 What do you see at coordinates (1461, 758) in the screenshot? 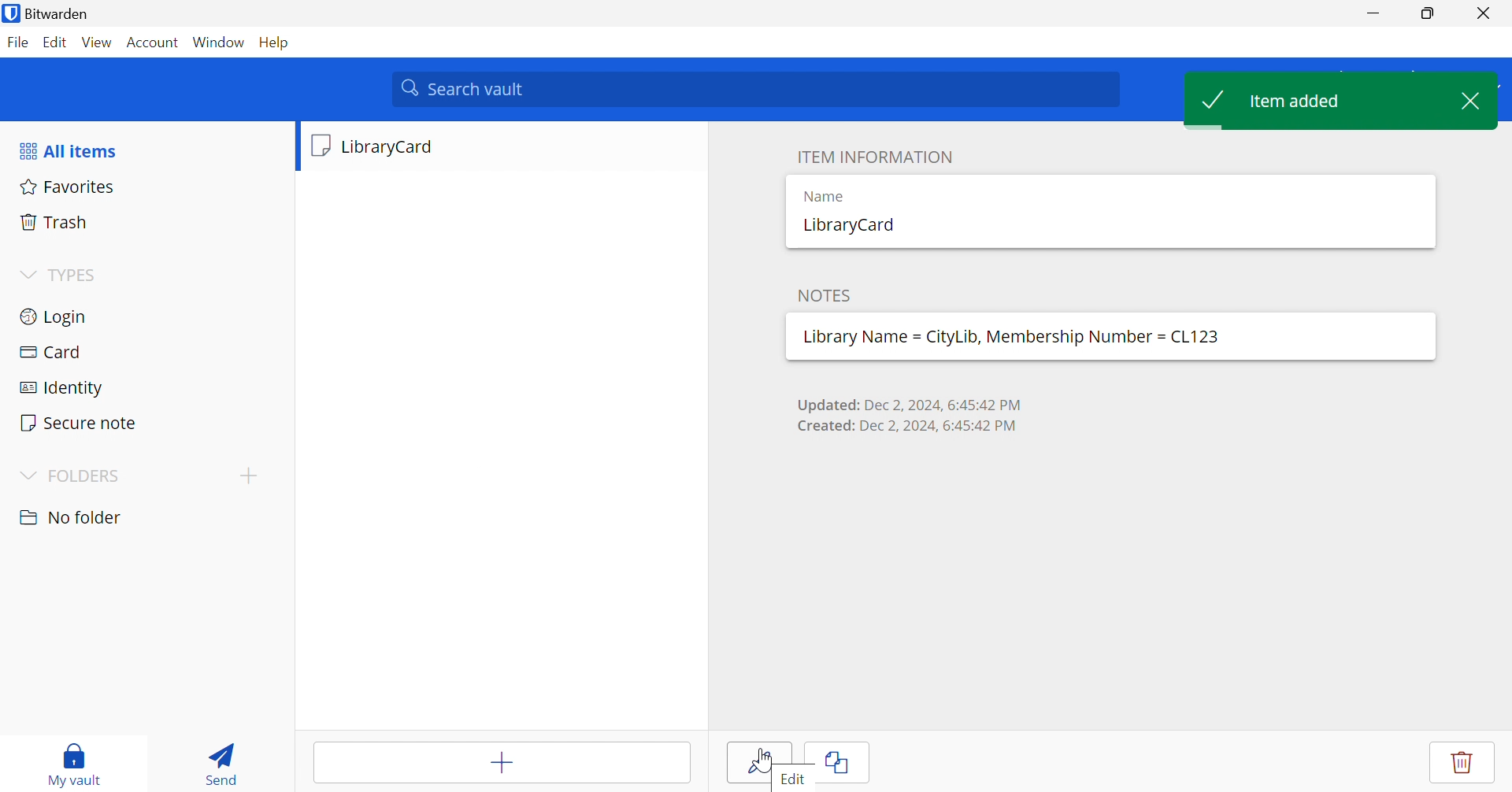
I see `Delete` at bounding box center [1461, 758].